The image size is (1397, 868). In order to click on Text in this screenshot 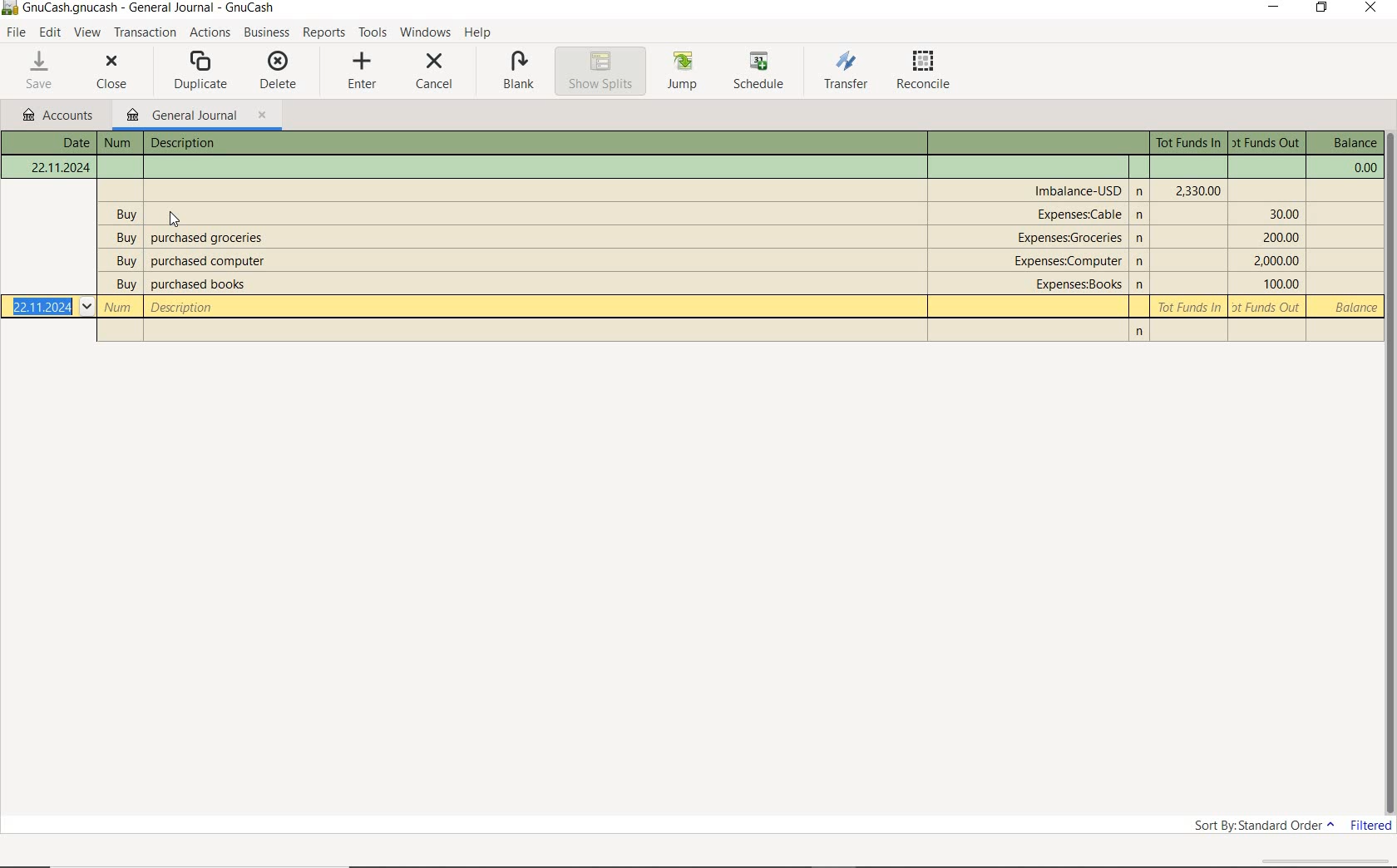, I will do `click(1268, 143)`.